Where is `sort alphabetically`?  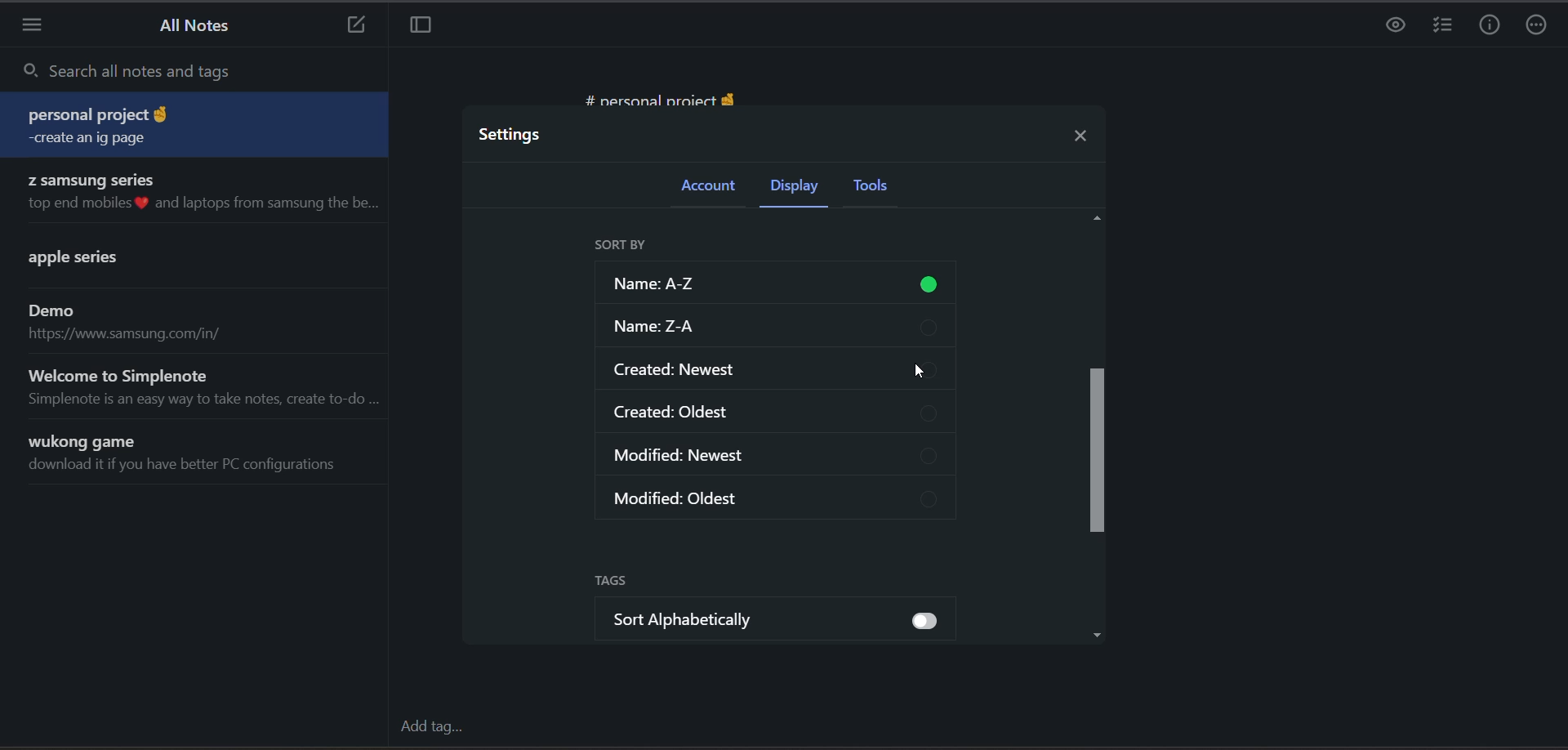
sort alphabetically is located at coordinates (784, 621).